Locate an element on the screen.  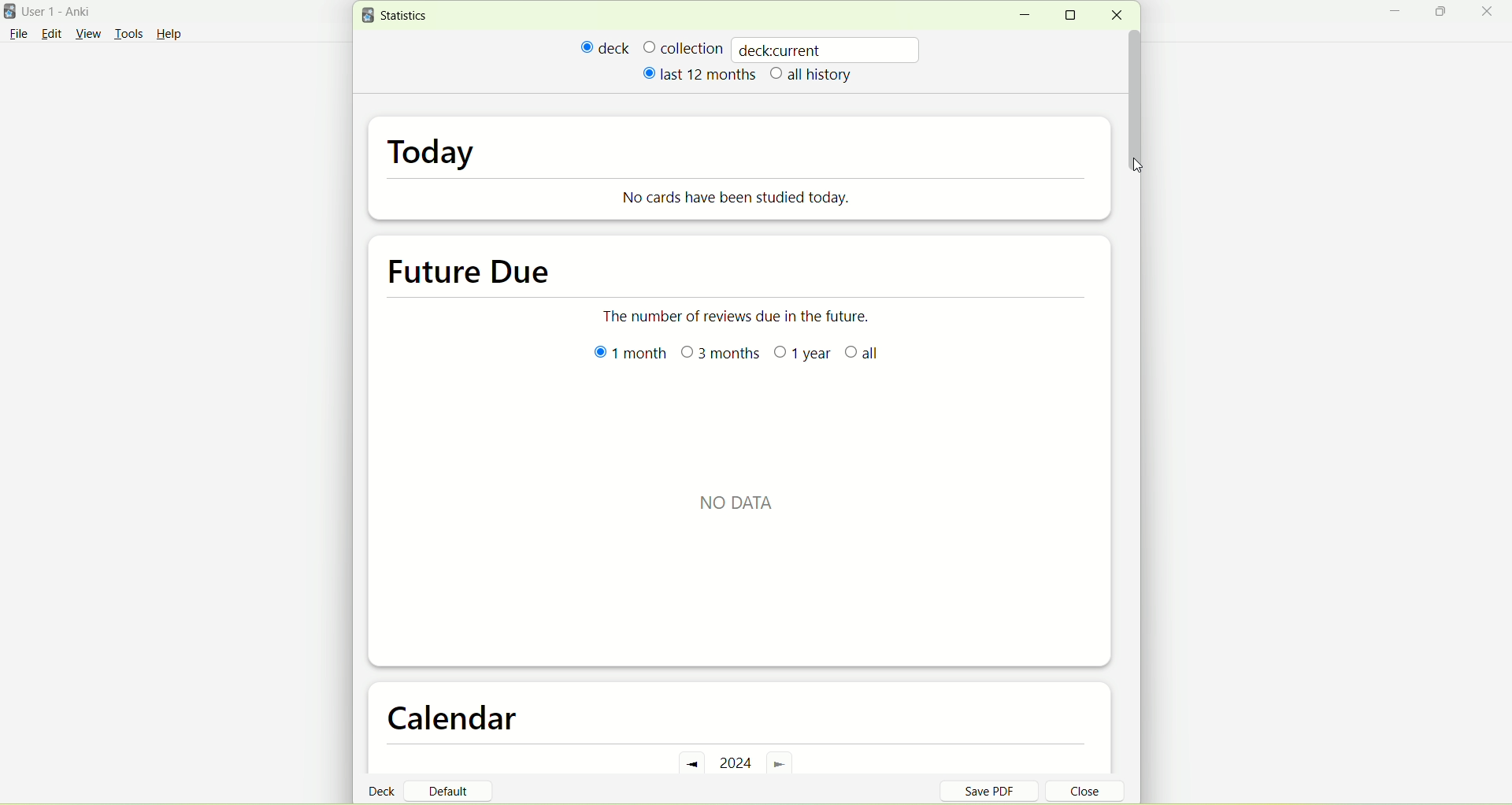
close is located at coordinates (1088, 792).